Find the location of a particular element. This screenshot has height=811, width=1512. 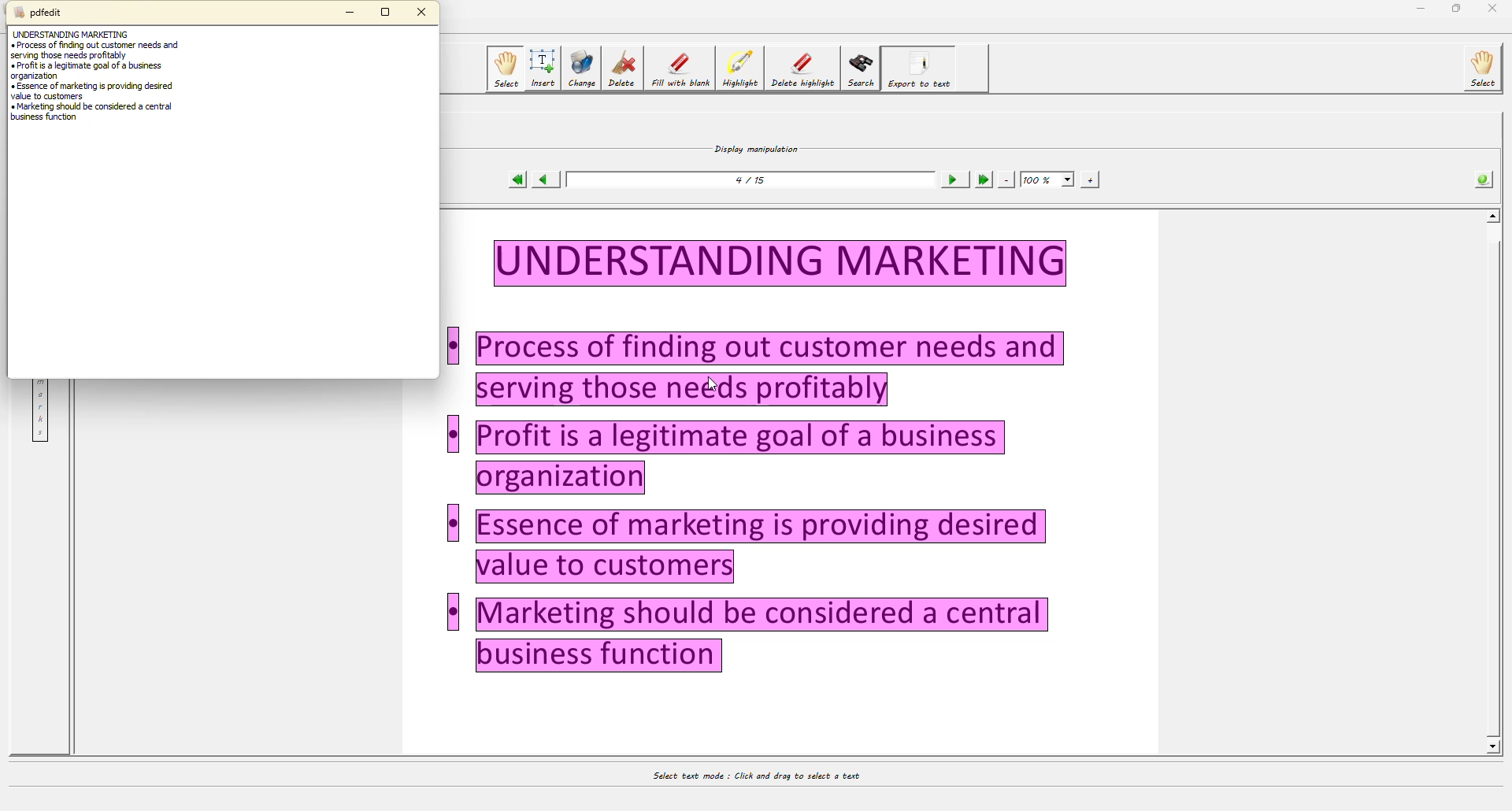

close is located at coordinates (424, 12).